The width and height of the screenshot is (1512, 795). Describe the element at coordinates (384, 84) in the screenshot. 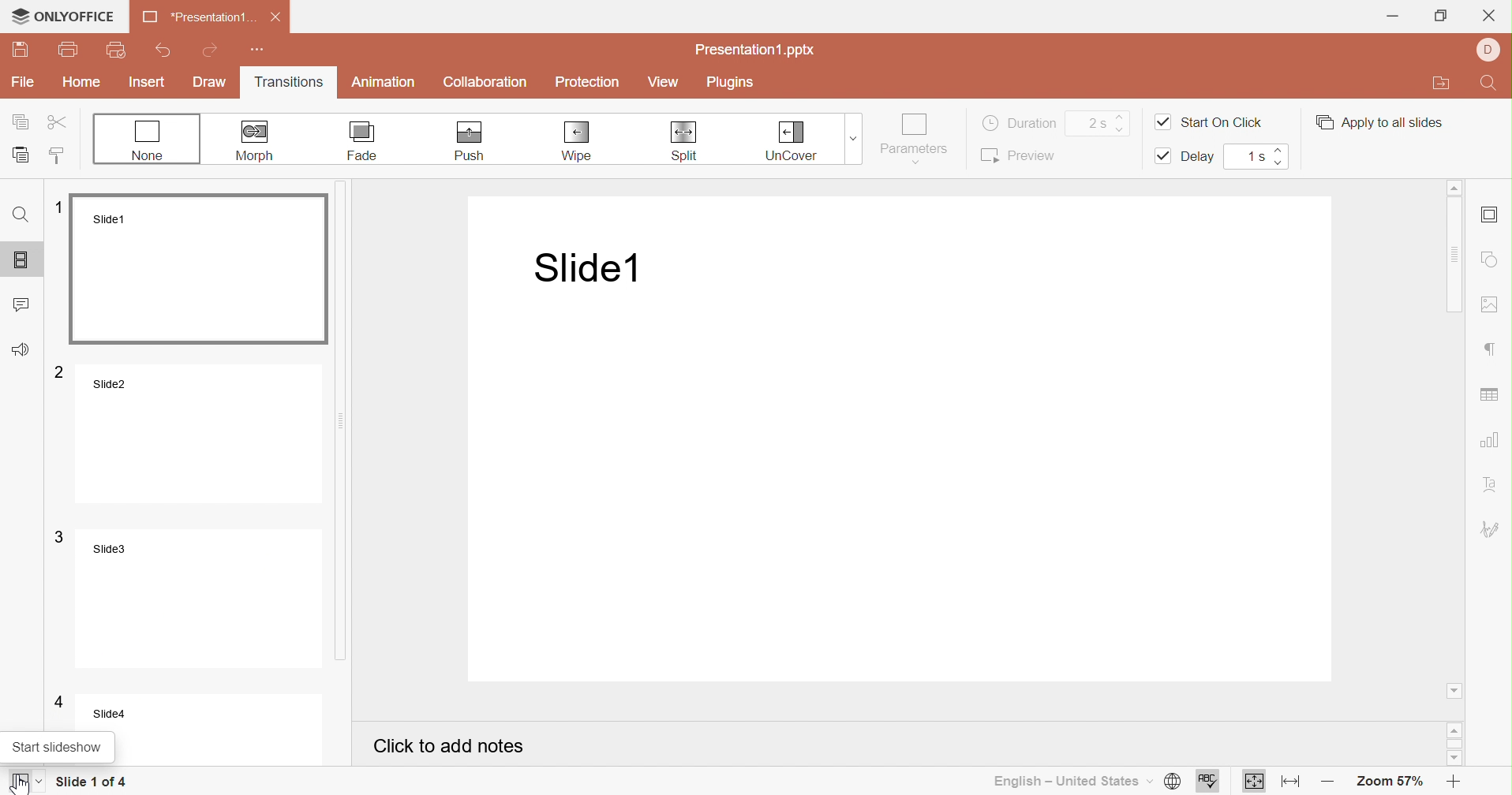

I see `Animation` at that location.